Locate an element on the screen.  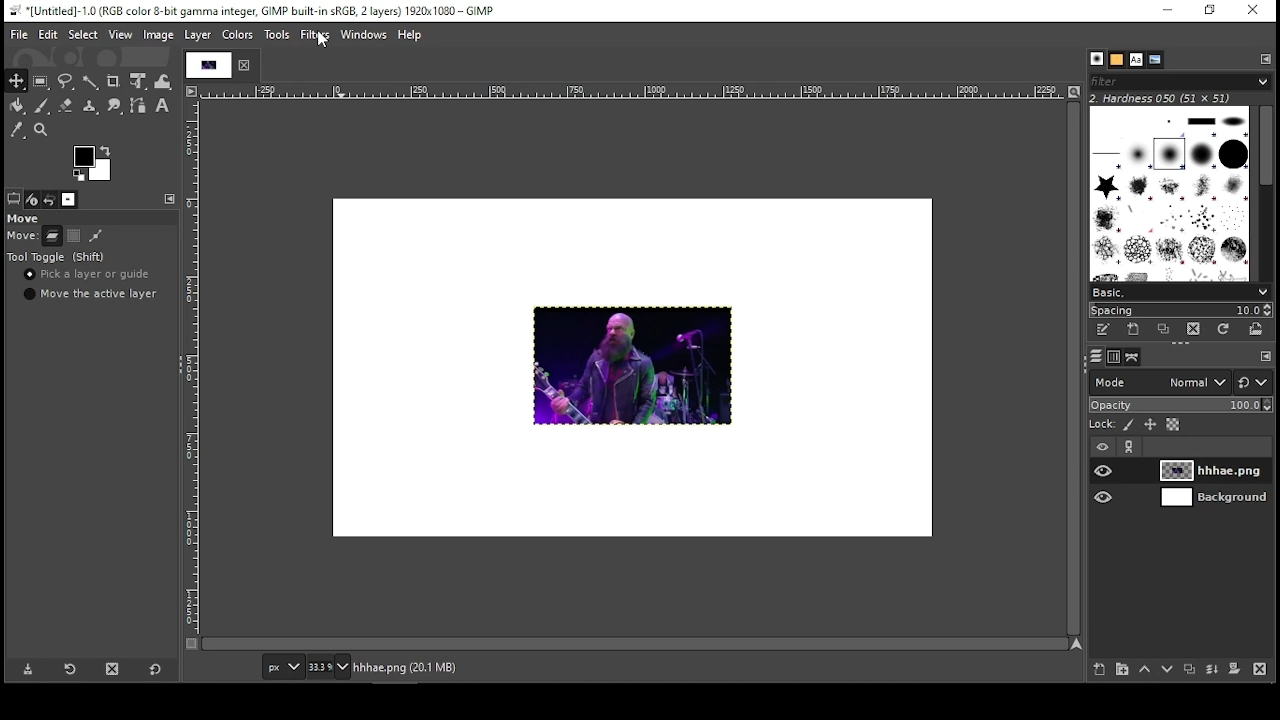
restore is located at coordinates (1211, 10).